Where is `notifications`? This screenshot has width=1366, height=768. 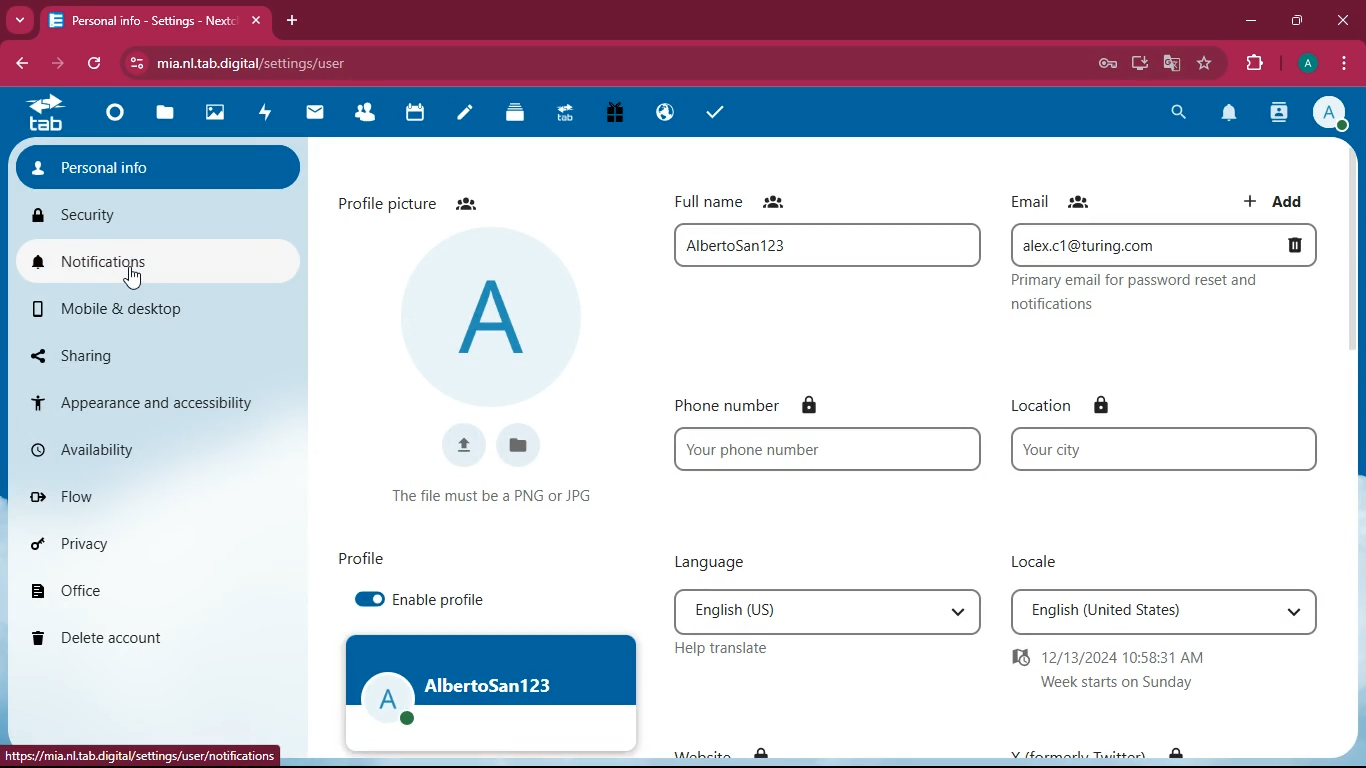 notifications is located at coordinates (1229, 114).